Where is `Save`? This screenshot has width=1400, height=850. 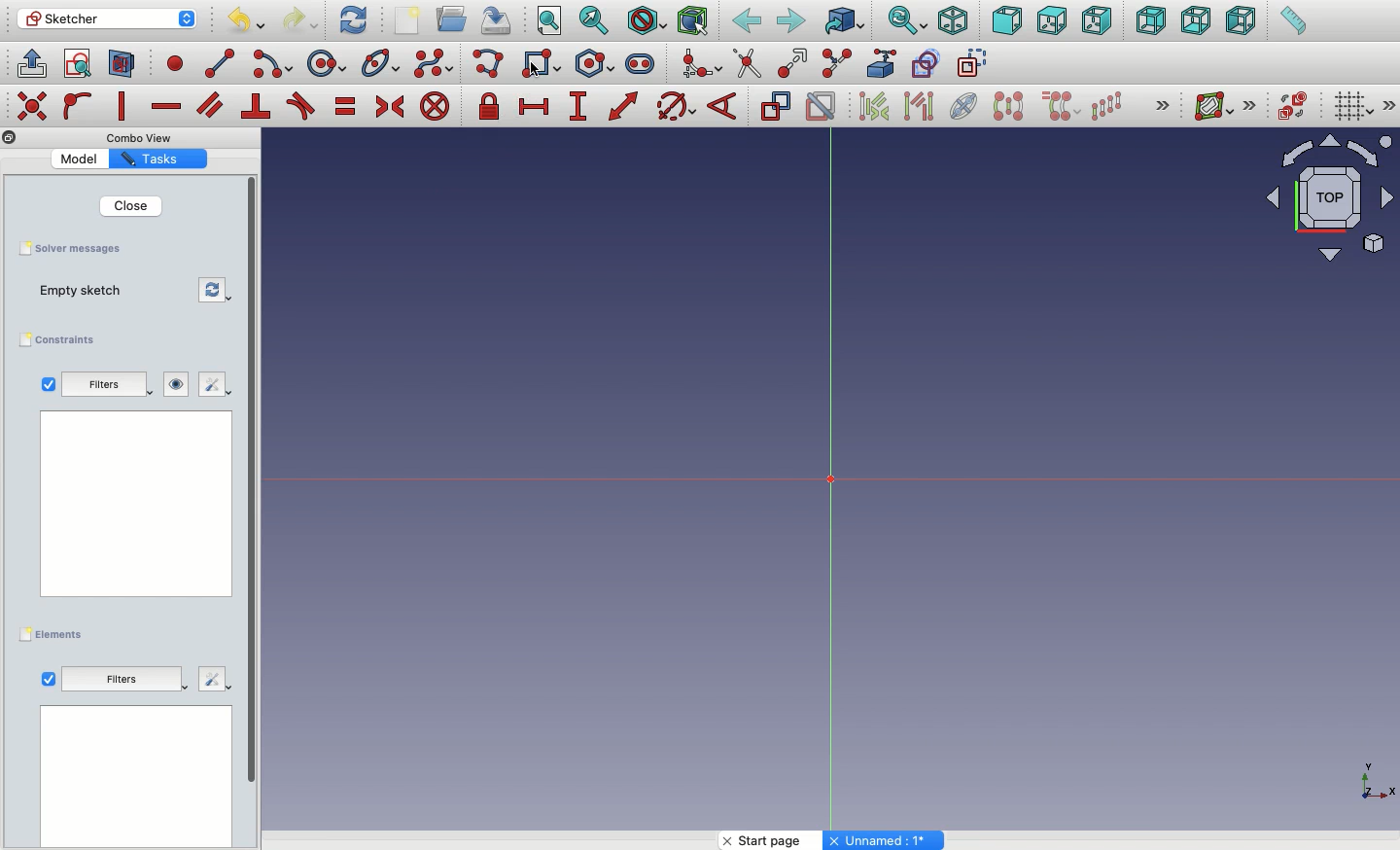
Save is located at coordinates (494, 18).